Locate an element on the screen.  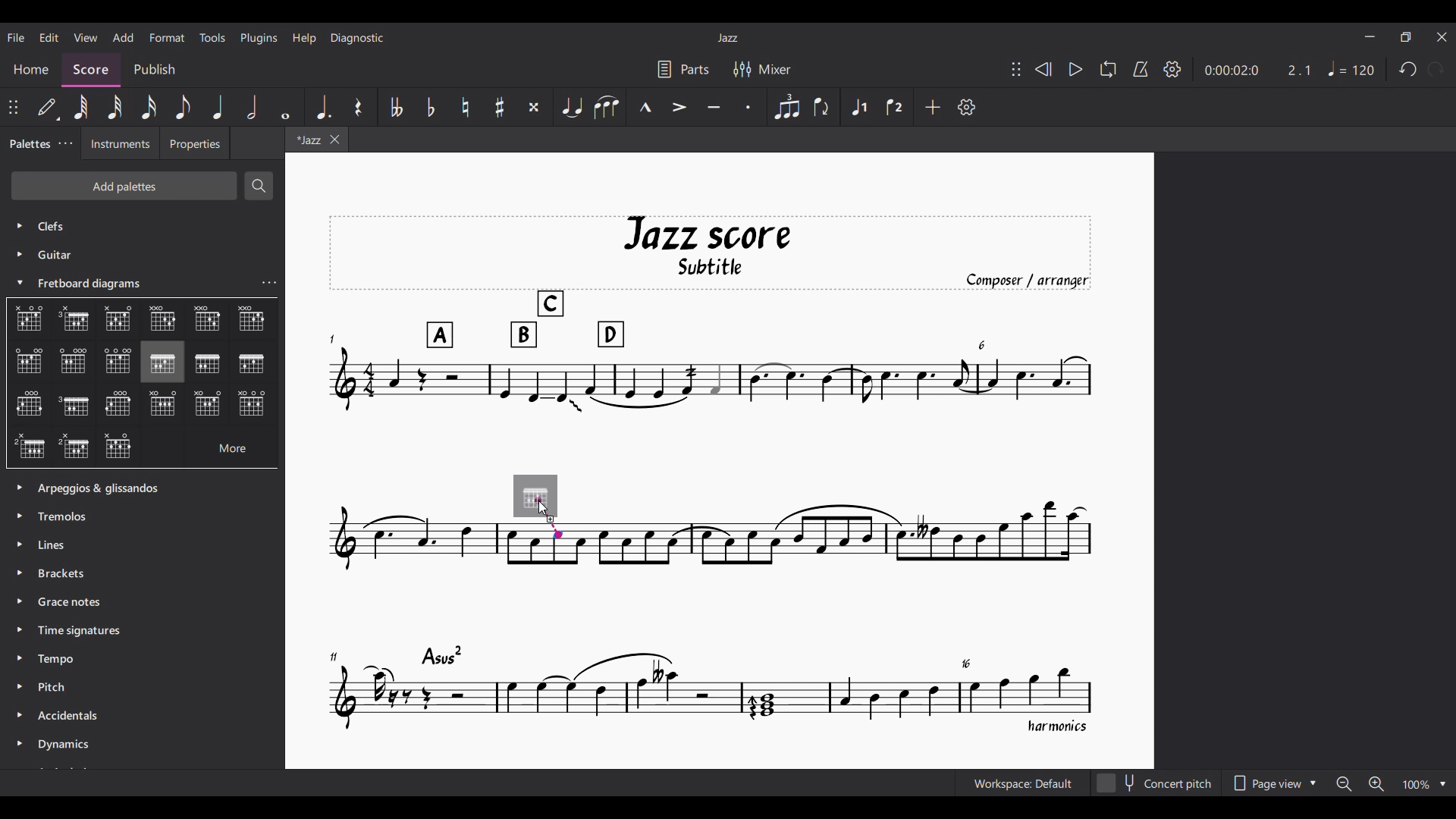
Time is located at coordinates (86, 631).